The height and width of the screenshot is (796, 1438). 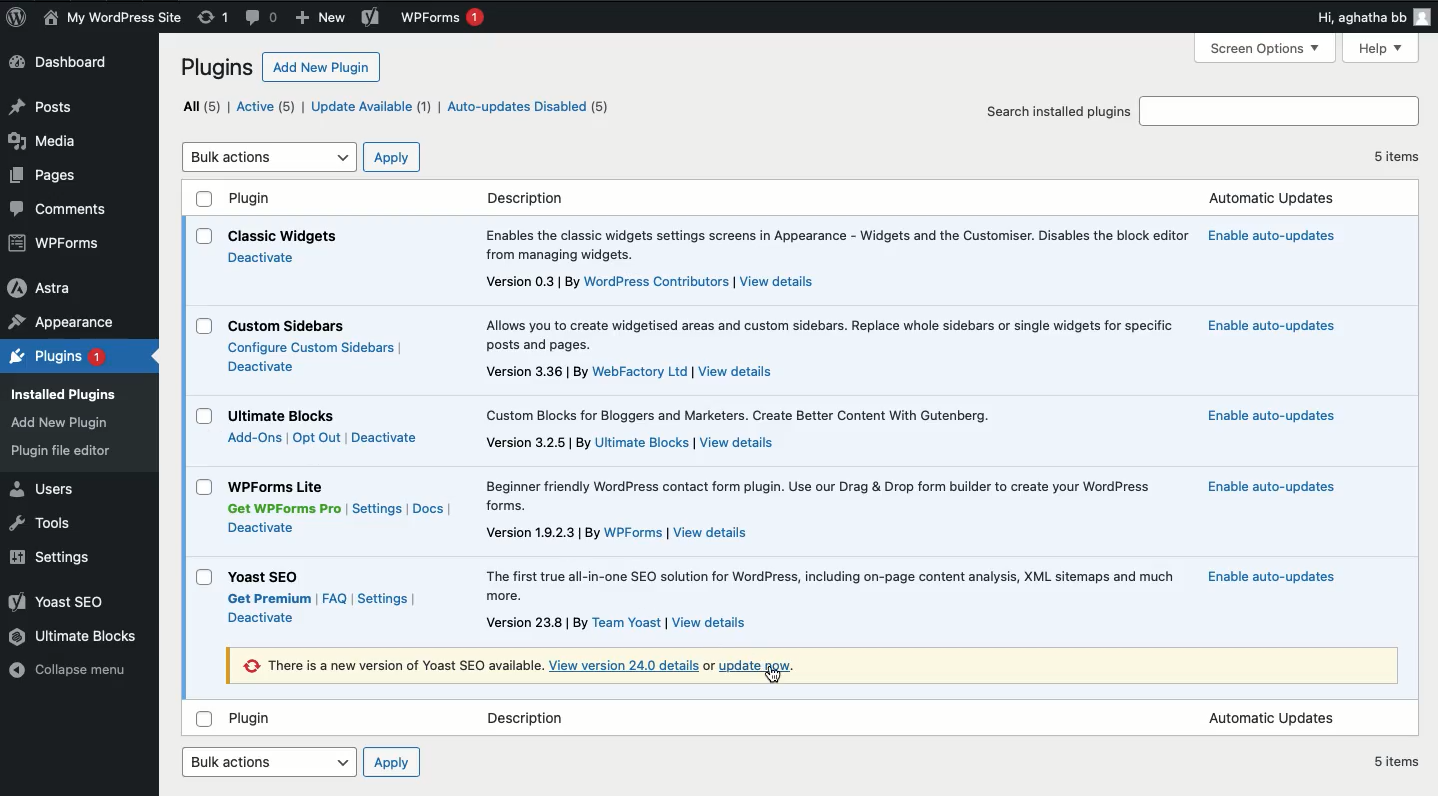 What do you see at coordinates (1271, 719) in the screenshot?
I see `Automatic updates` at bounding box center [1271, 719].